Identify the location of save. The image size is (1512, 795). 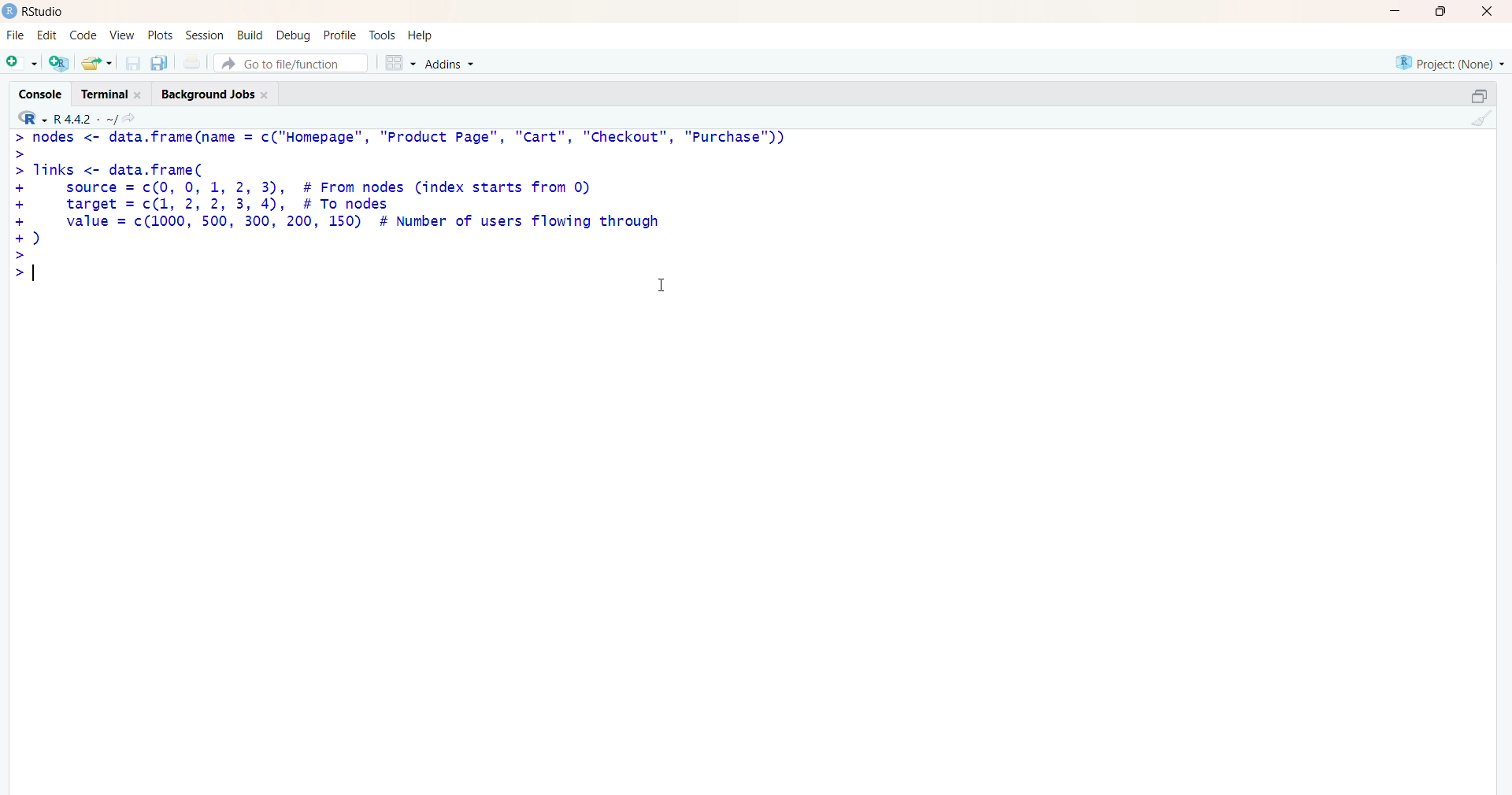
(131, 64).